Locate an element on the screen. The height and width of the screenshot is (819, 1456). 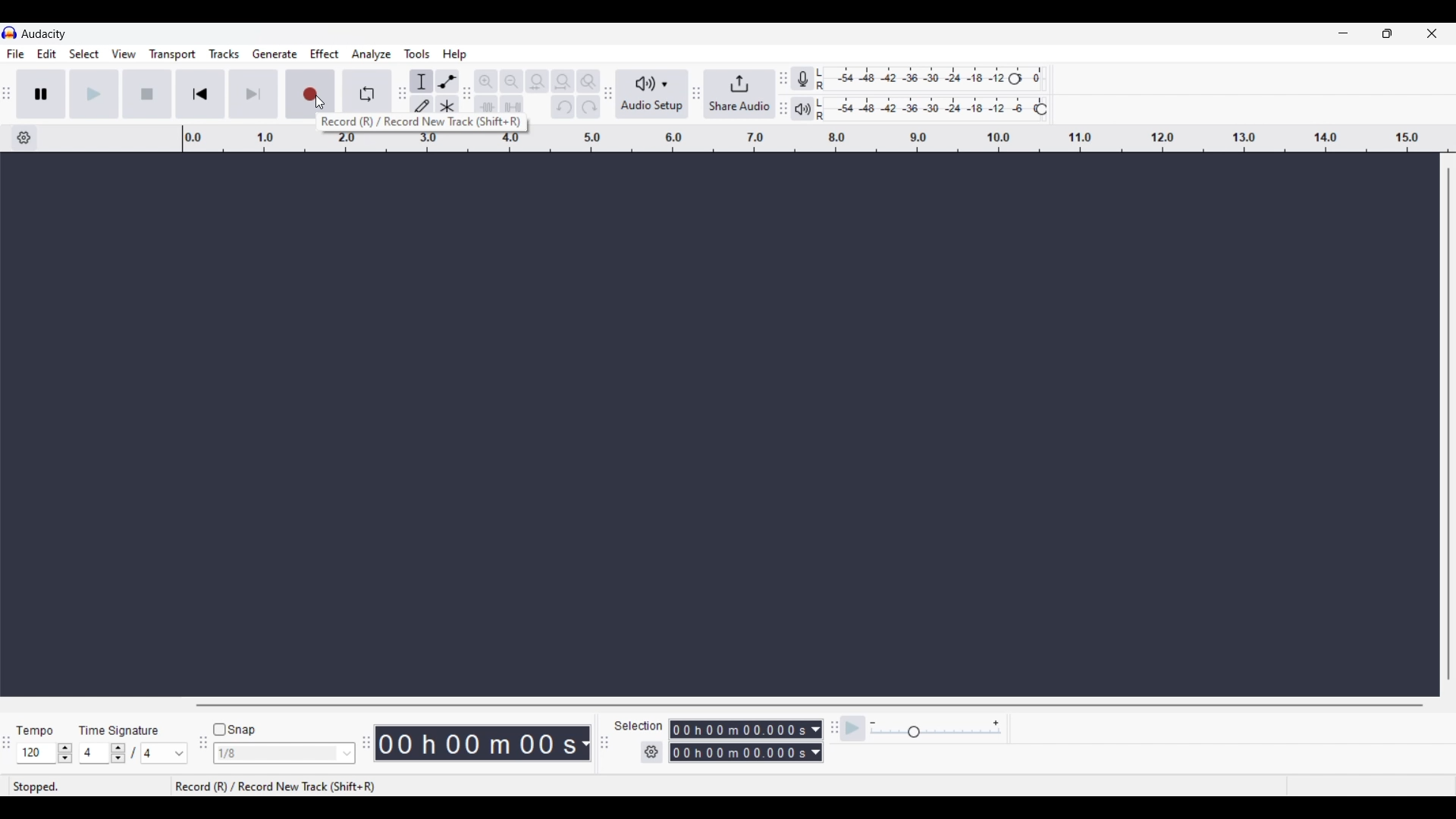
Help menu is located at coordinates (454, 55).